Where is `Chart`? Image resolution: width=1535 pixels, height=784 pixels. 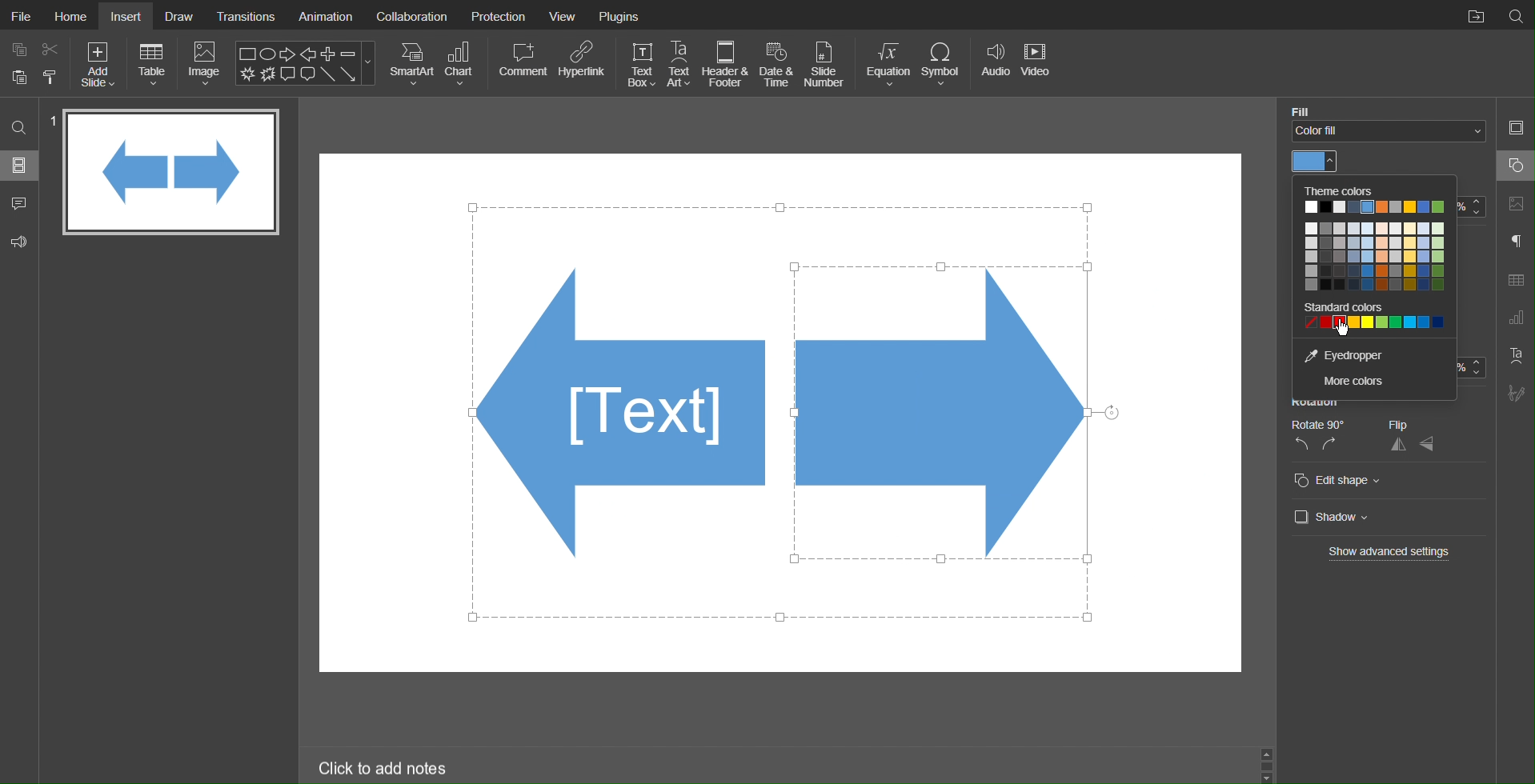
Chart is located at coordinates (463, 64).